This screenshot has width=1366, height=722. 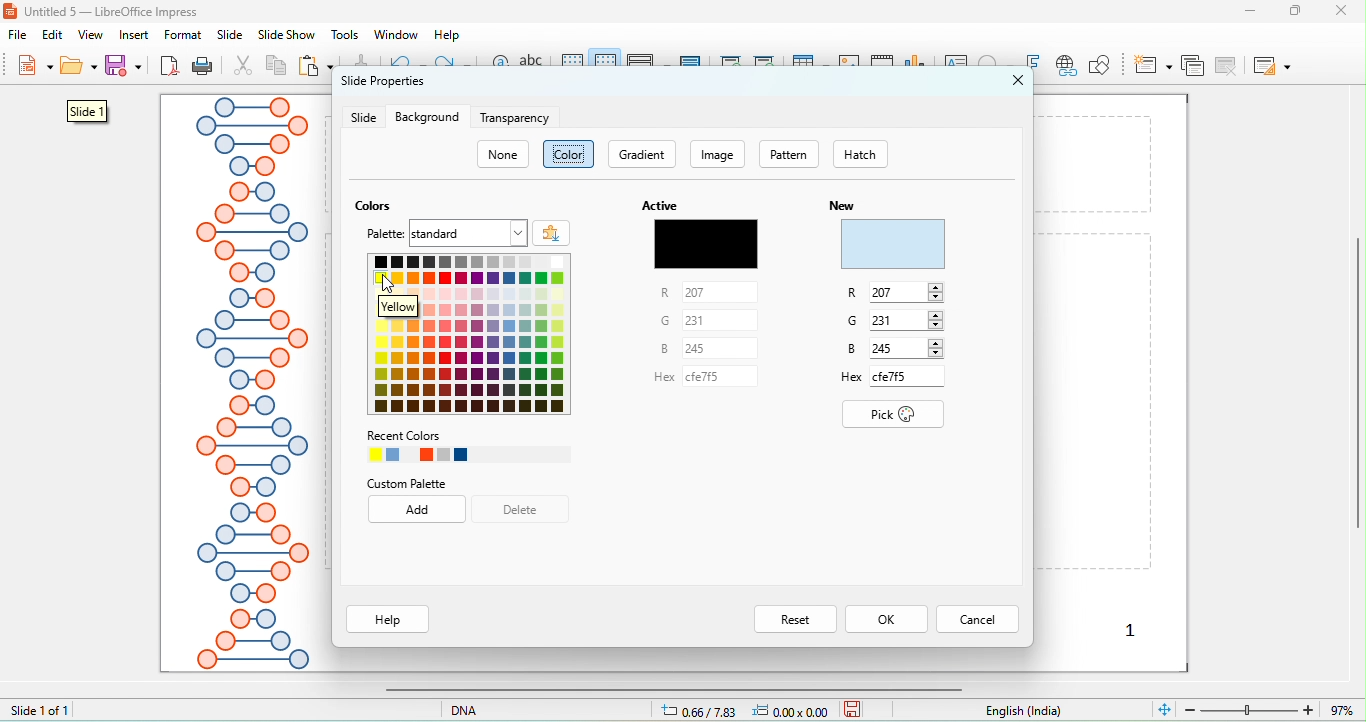 What do you see at coordinates (649, 64) in the screenshot?
I see `display views` at bounding box center [649, 64].